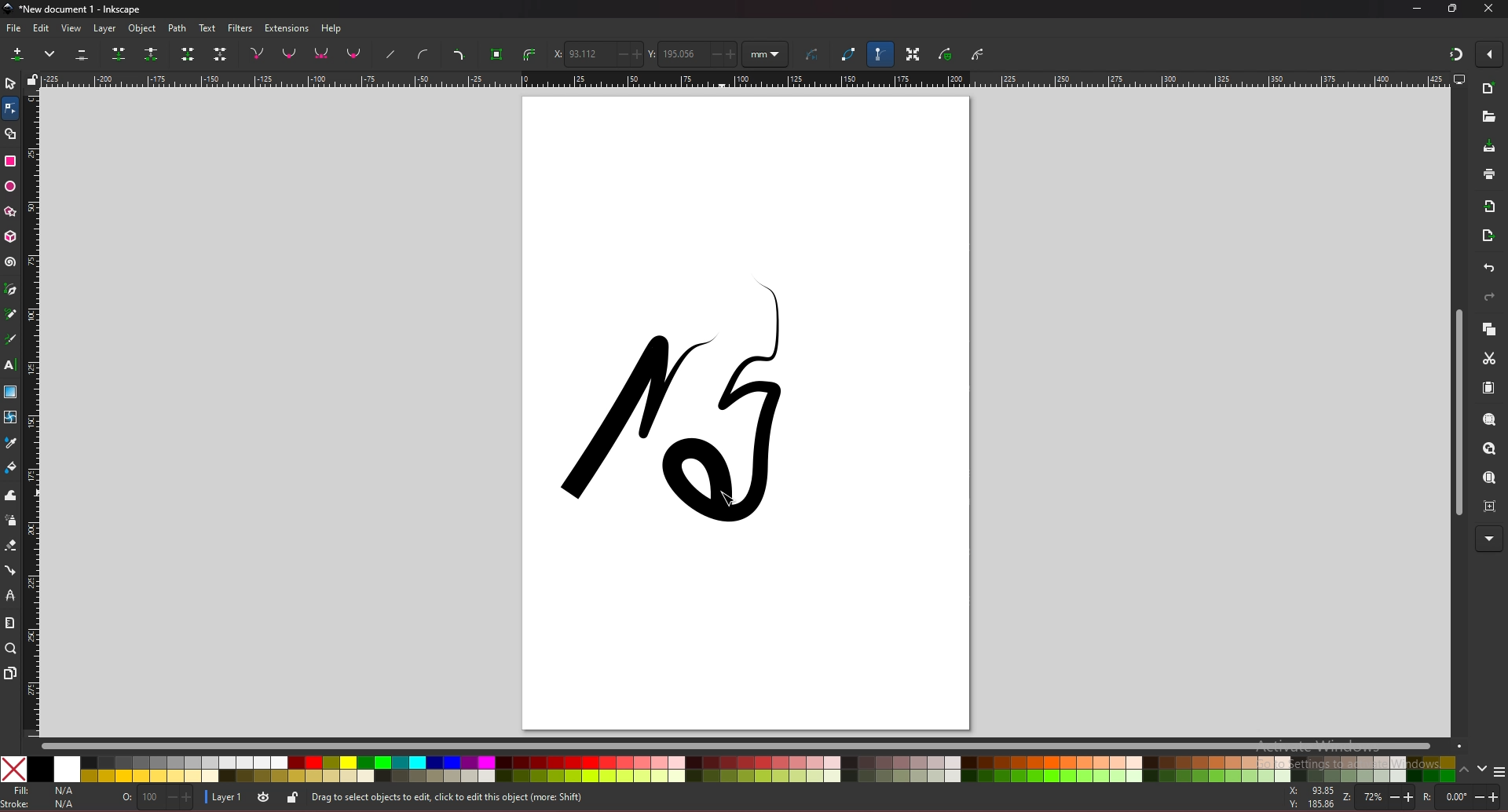 This screenshot has width=1508, height=812. What do you see at coordinates (913, 53) in the screenshot?
I see `transformation handle` at bounding box center [913, 53].